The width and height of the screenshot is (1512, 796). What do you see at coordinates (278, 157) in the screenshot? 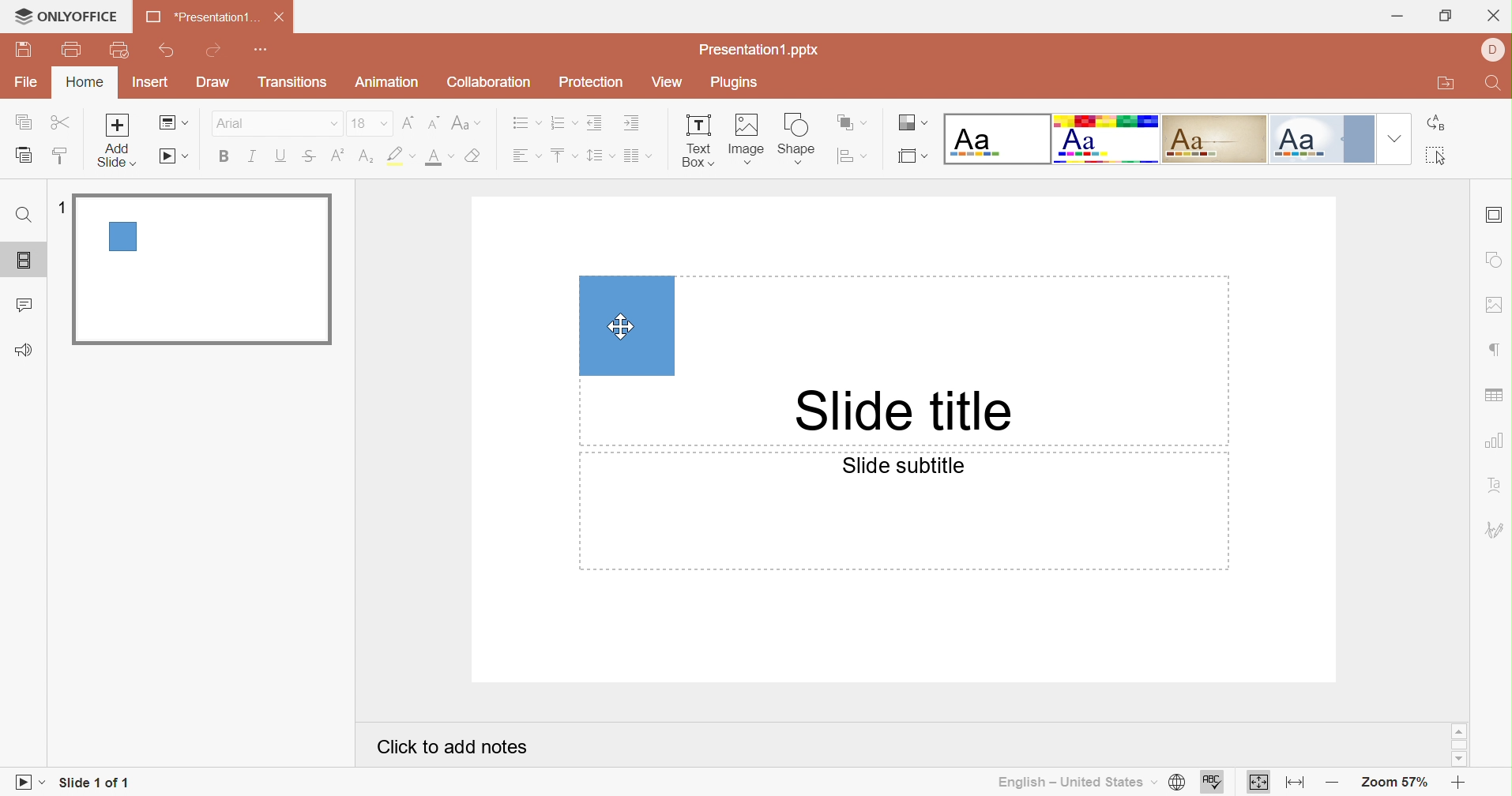
I see `Underline` at bounding box center [278, 157].